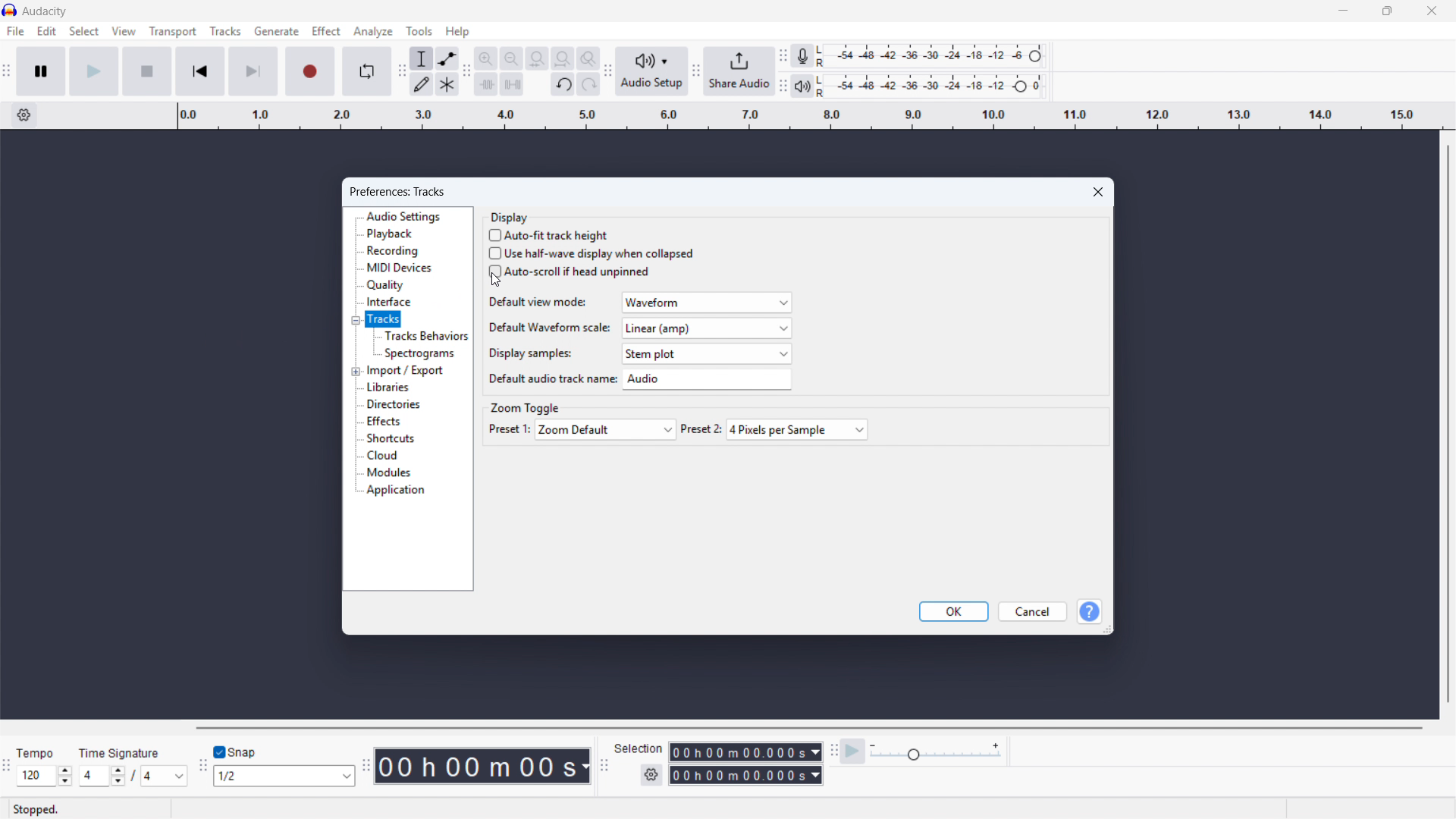  Describe the element at coordinates (224, 31) in the screenshot. I see `tracks` at that location.